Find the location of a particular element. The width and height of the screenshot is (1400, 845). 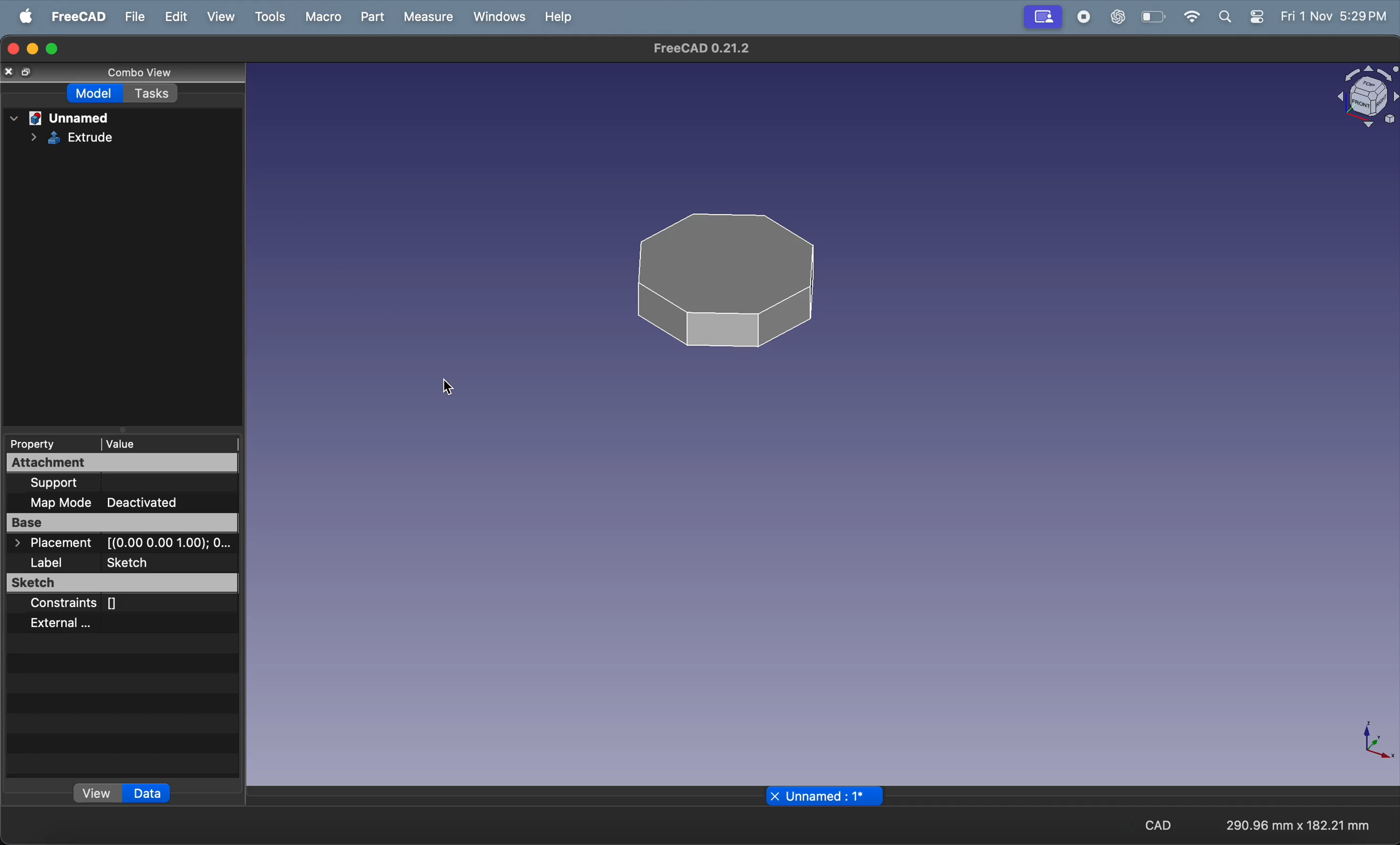

closing window is located at coordinates (14, 49).